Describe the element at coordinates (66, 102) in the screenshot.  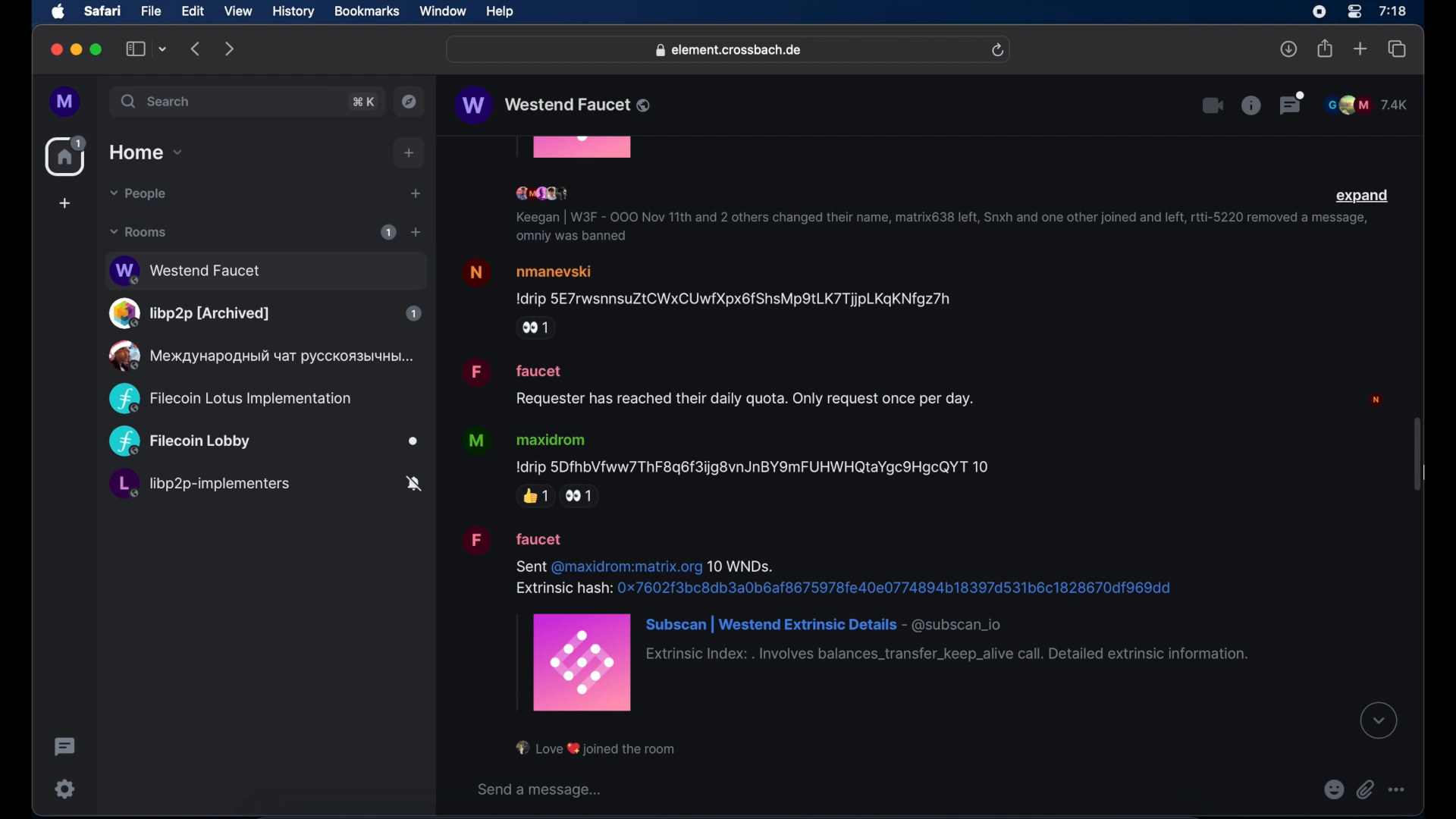
I see `profile` at that location.